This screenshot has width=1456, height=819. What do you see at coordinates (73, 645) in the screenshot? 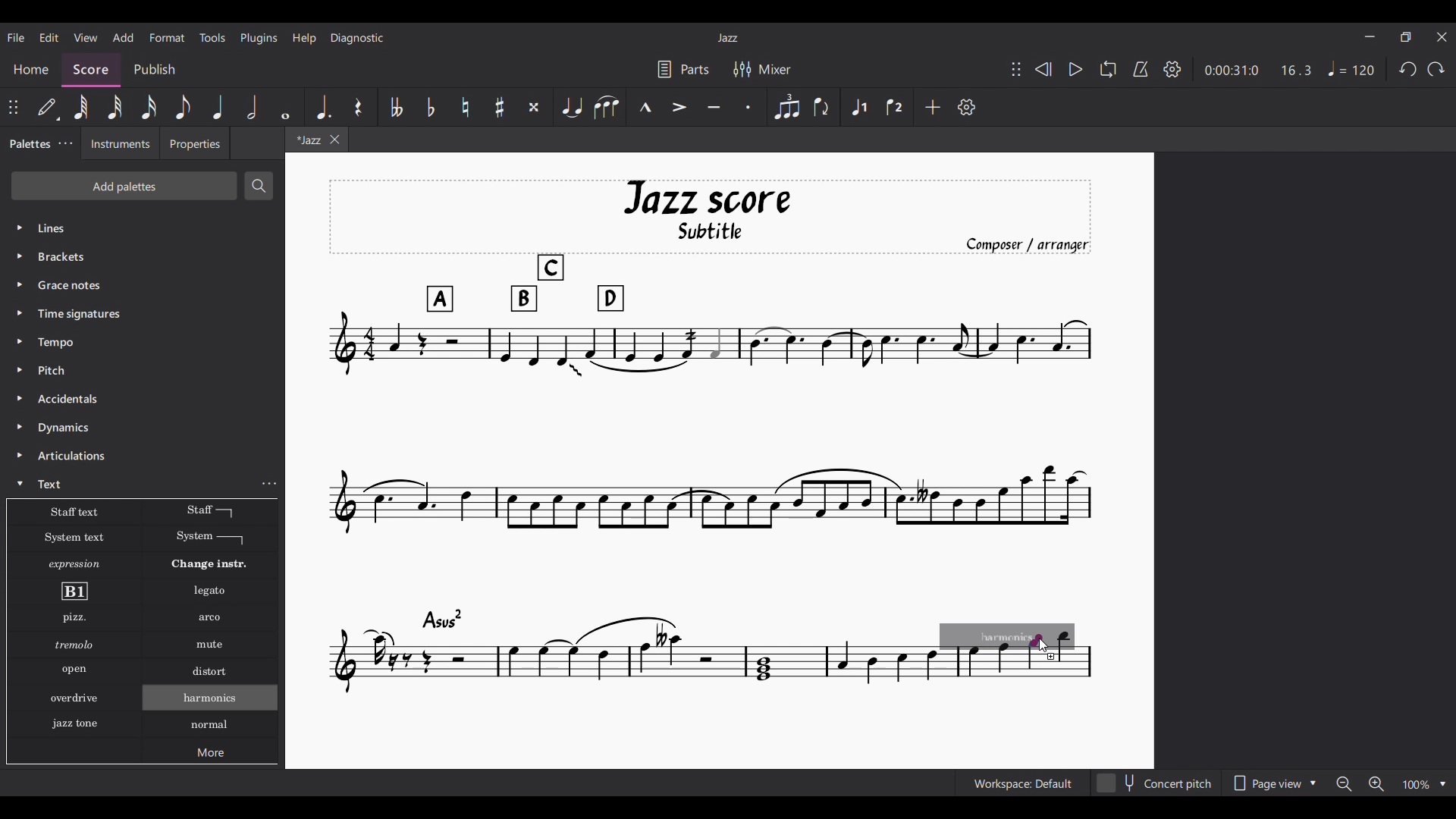
I see `` at bounding box center [73, 645].